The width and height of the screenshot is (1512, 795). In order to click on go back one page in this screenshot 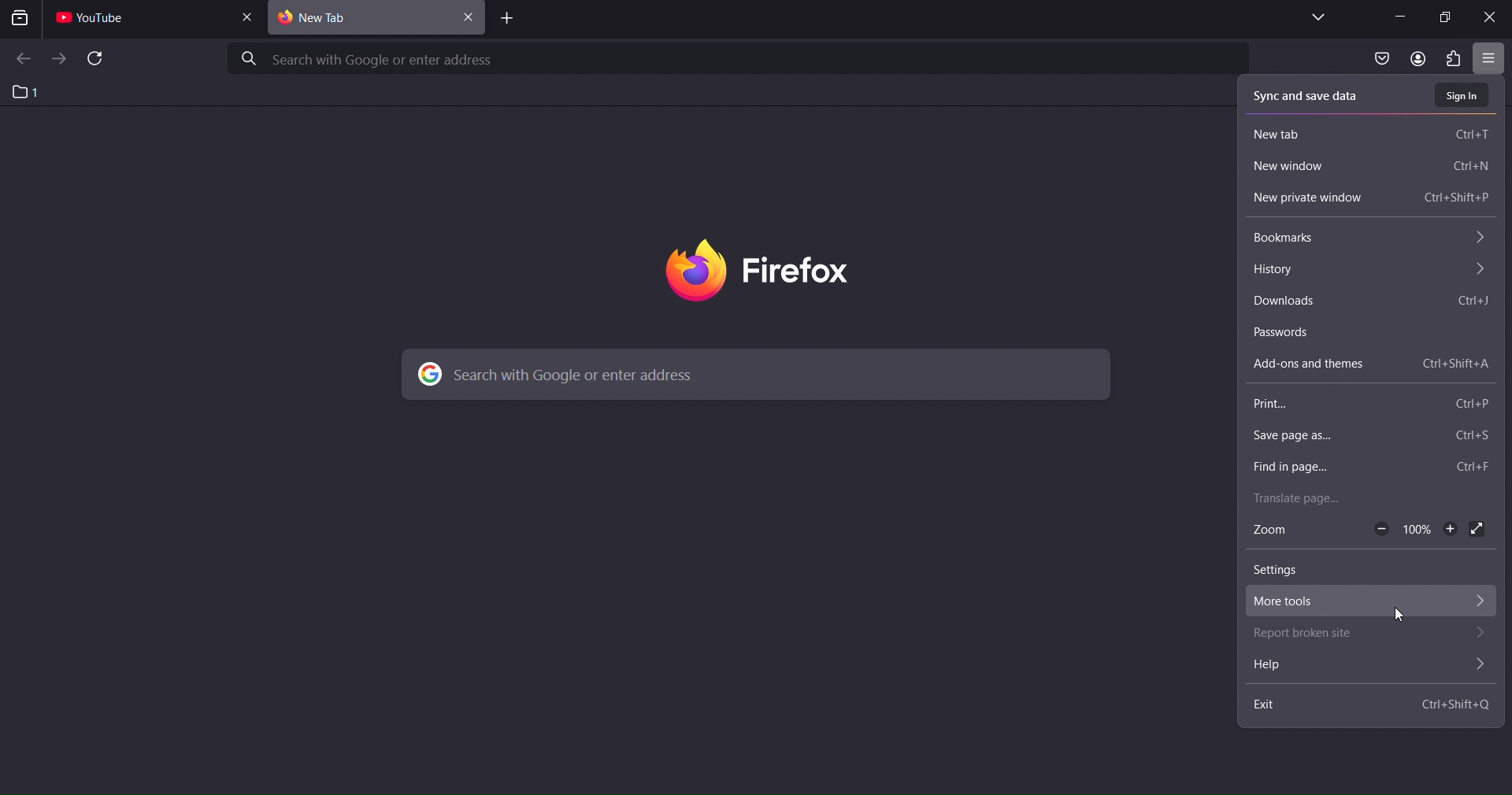, I will do `click(22, 59)`.